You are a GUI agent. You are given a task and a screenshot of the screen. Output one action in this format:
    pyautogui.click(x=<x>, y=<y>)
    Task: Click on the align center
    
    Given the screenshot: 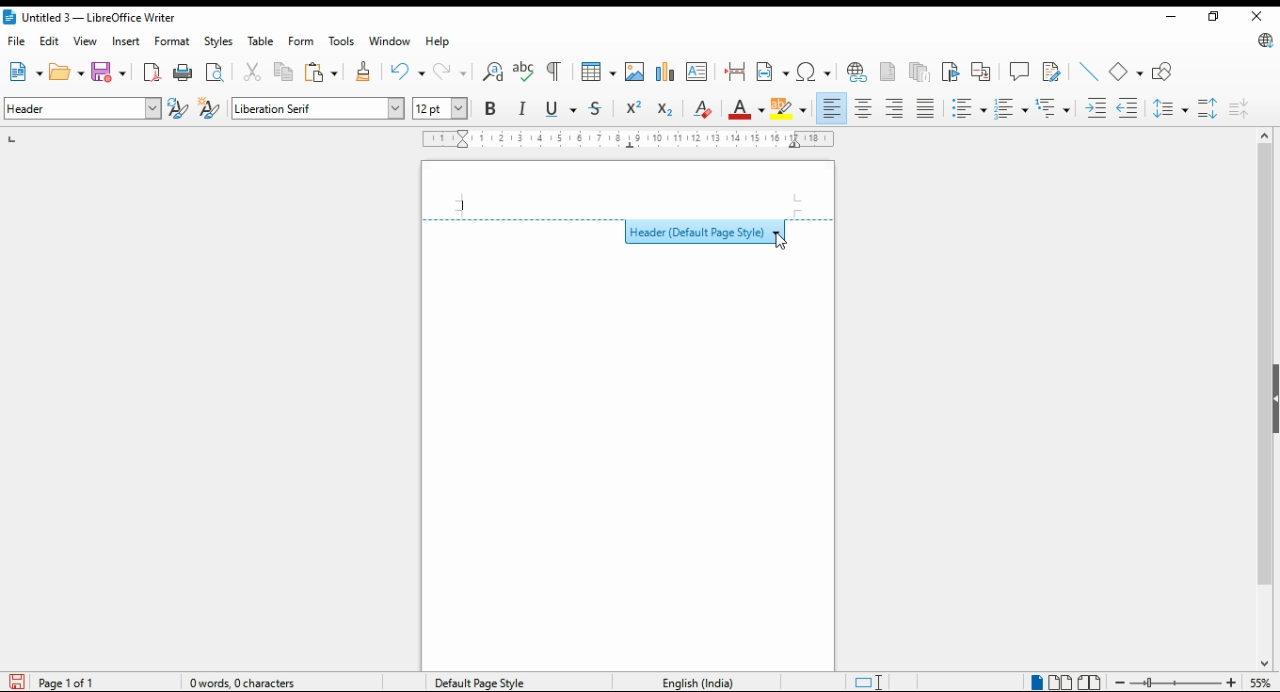 What is the action you would take?
    pyautogui.click(x=865, y=108)
    